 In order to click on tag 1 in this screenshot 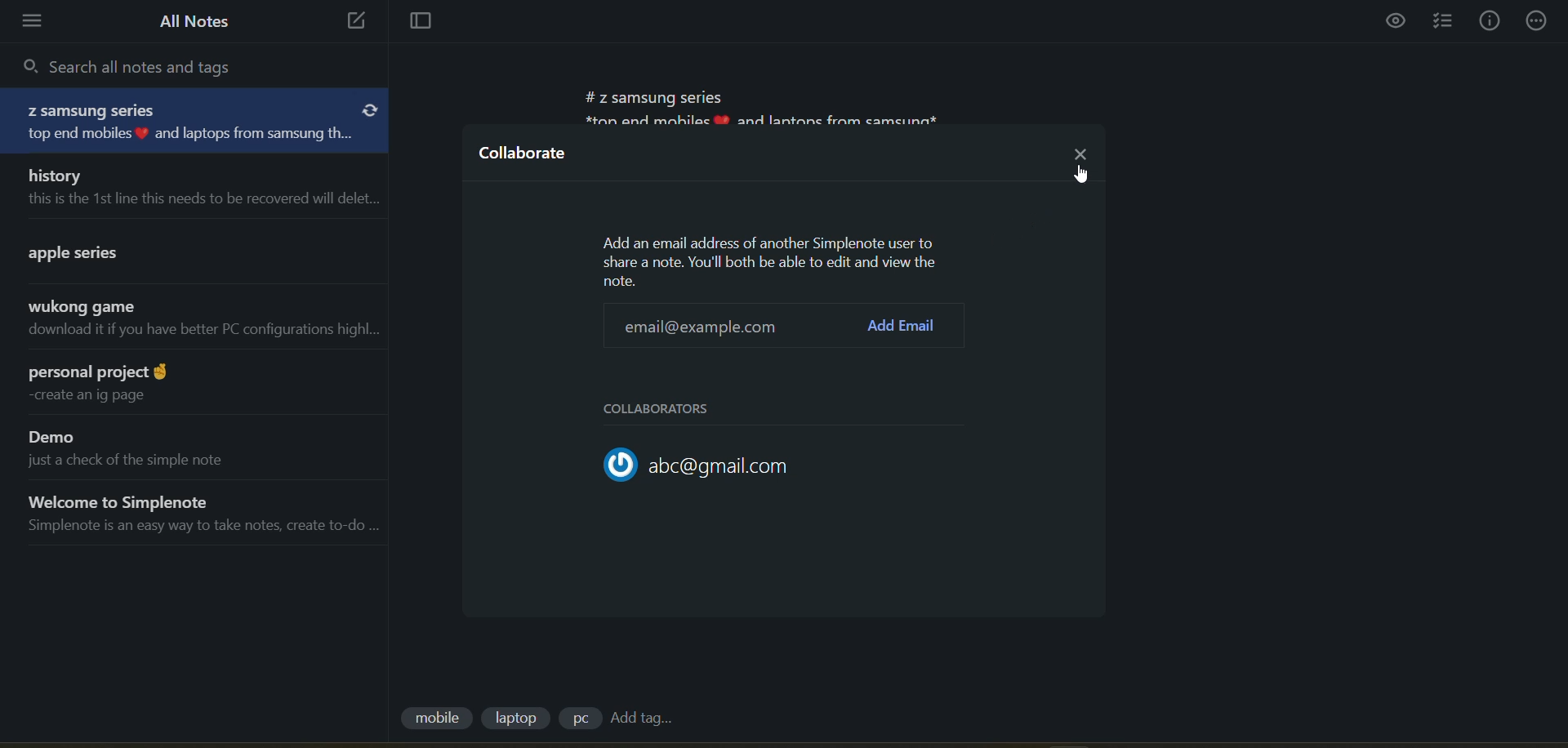, I will do `click(435, 719)`.